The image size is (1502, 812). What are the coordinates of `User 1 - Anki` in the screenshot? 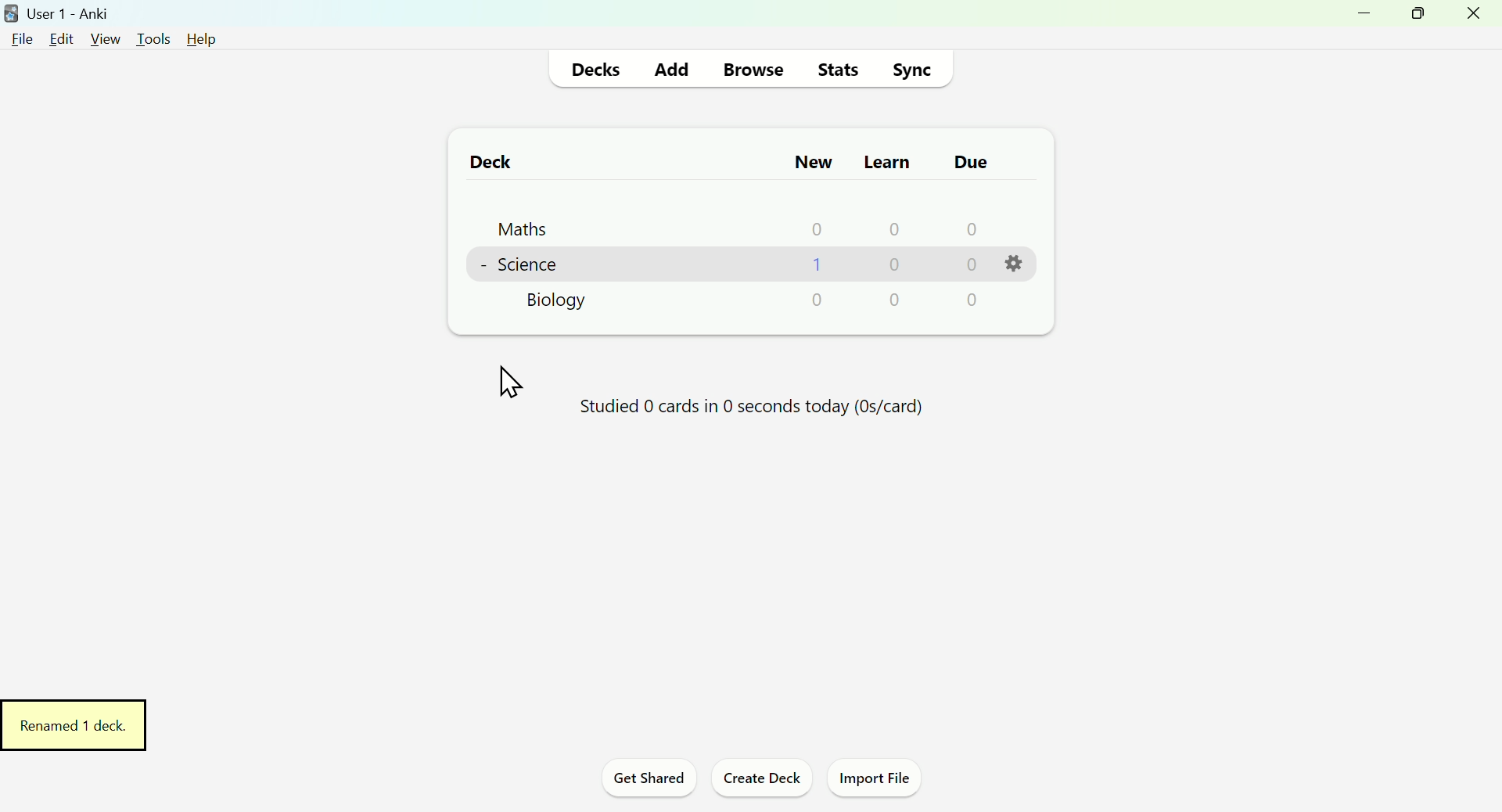 It's located at (61, 12).